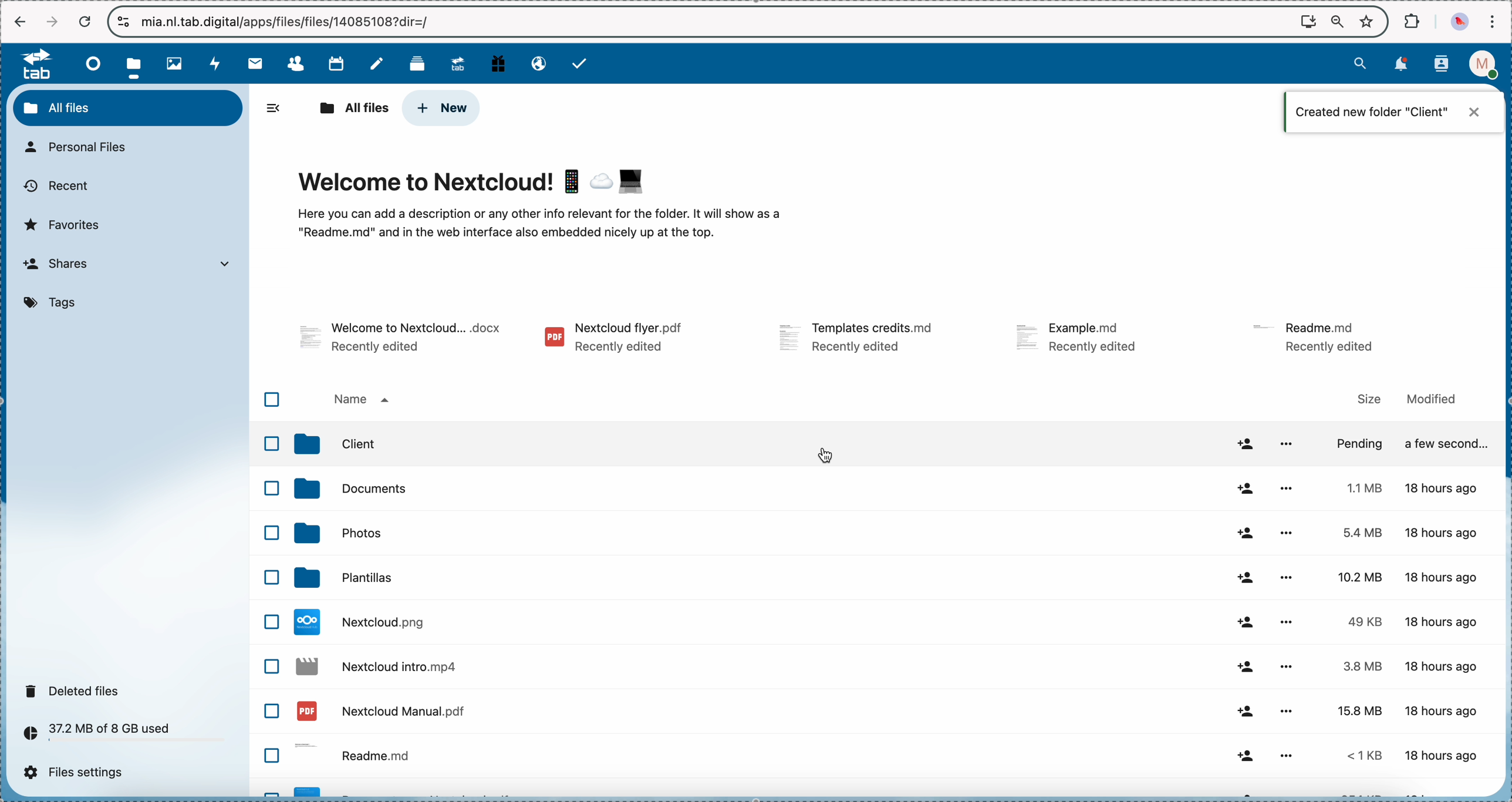  What do you see at coordinates (379, 64) in the screenshot?
I see `notes` at bounding box center [379, 64].